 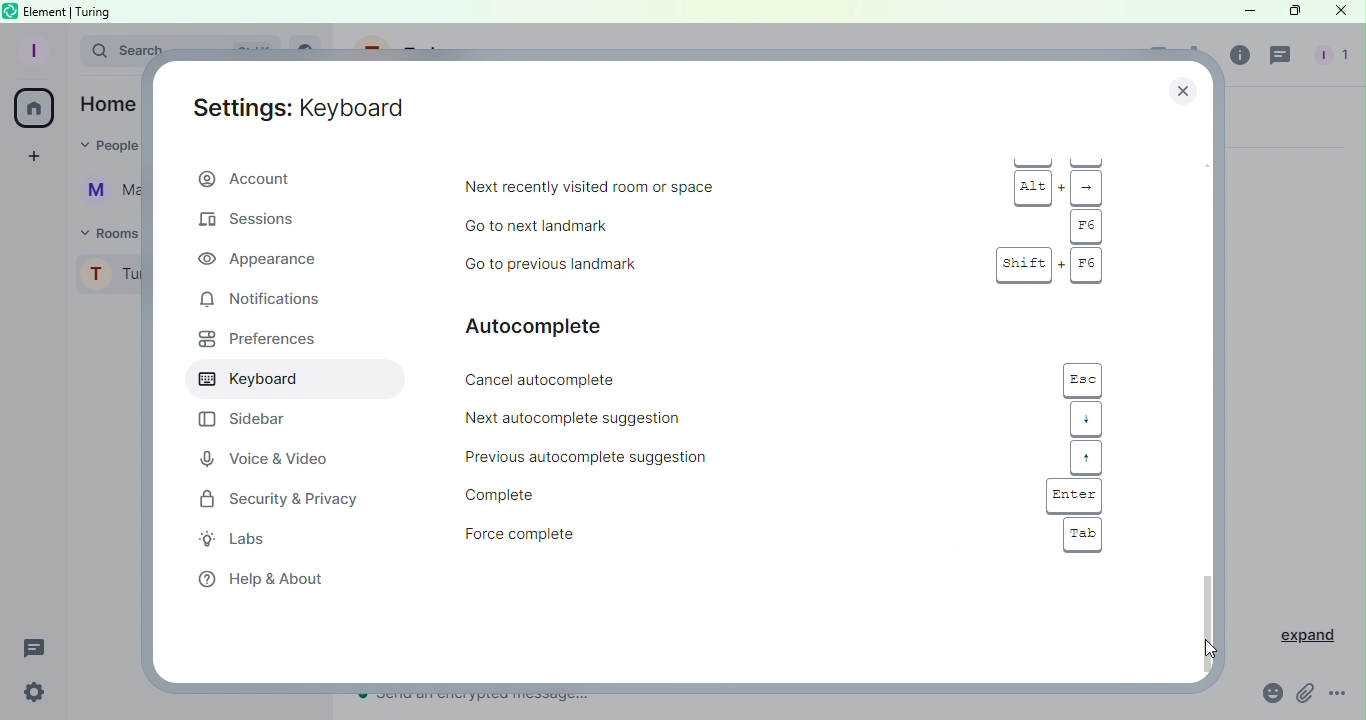 I want to click on Go to next landmark, so click(x=662, y=225).